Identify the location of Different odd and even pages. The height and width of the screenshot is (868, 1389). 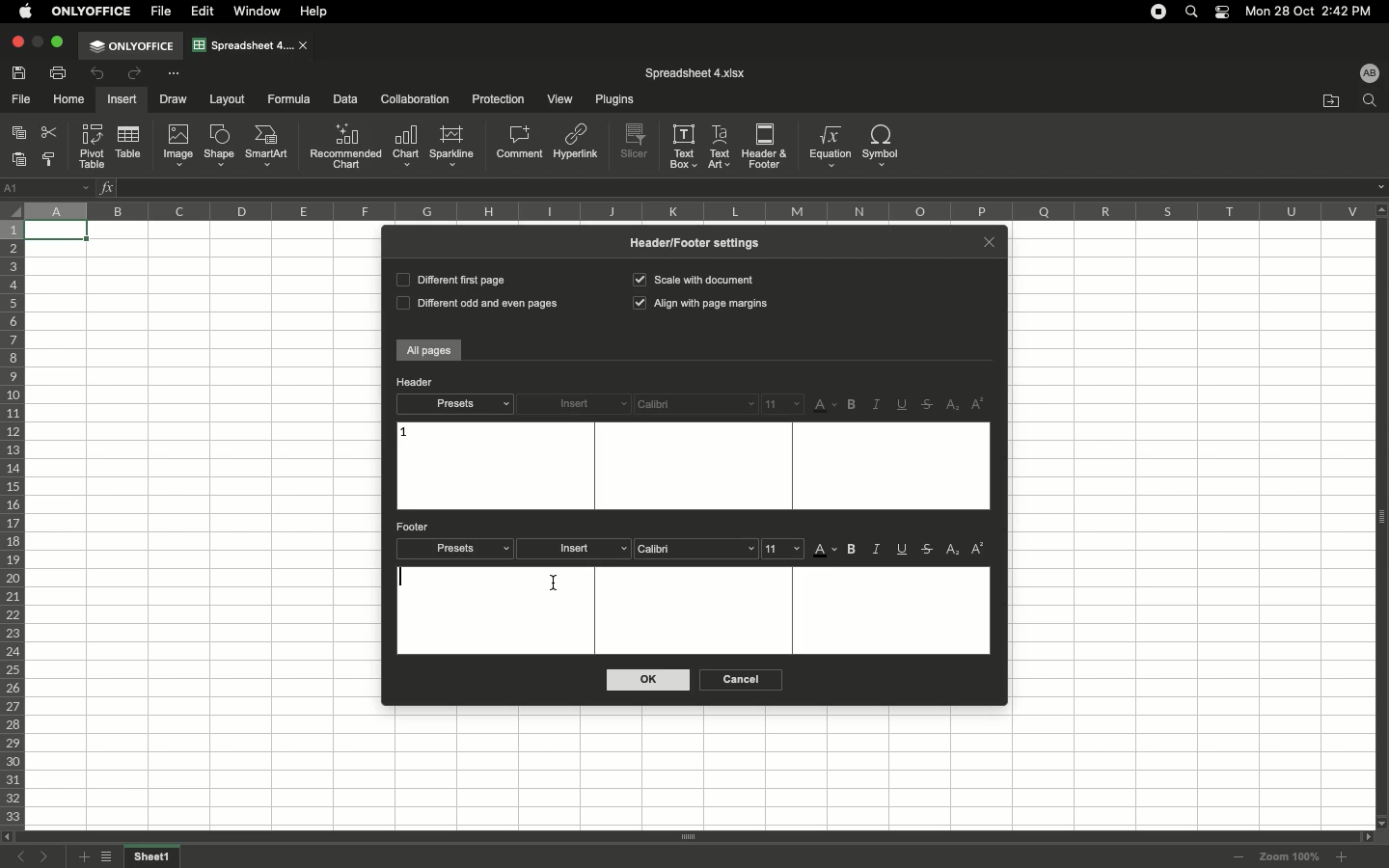
(474, 305).